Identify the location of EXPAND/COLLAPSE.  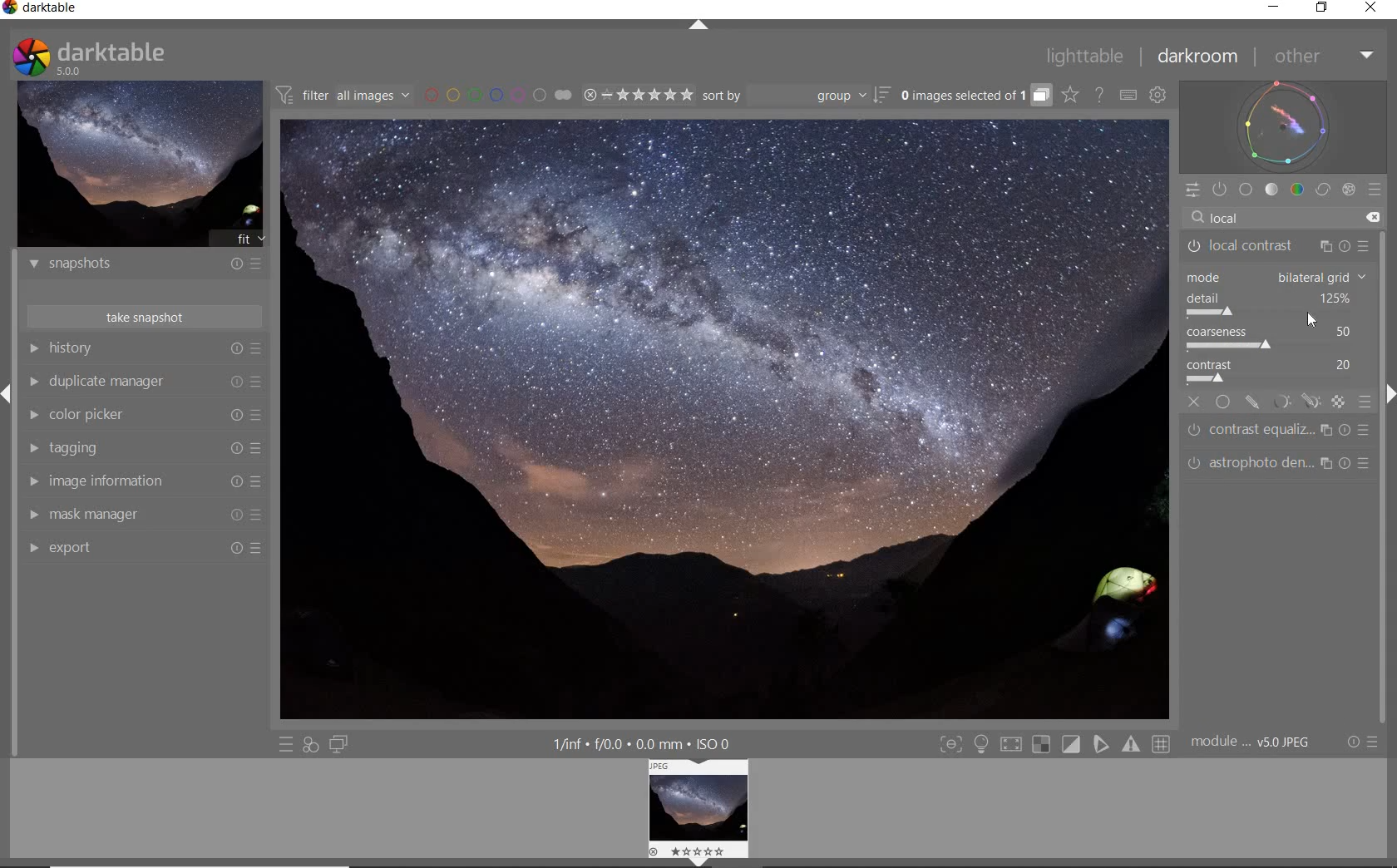
(698, 26).